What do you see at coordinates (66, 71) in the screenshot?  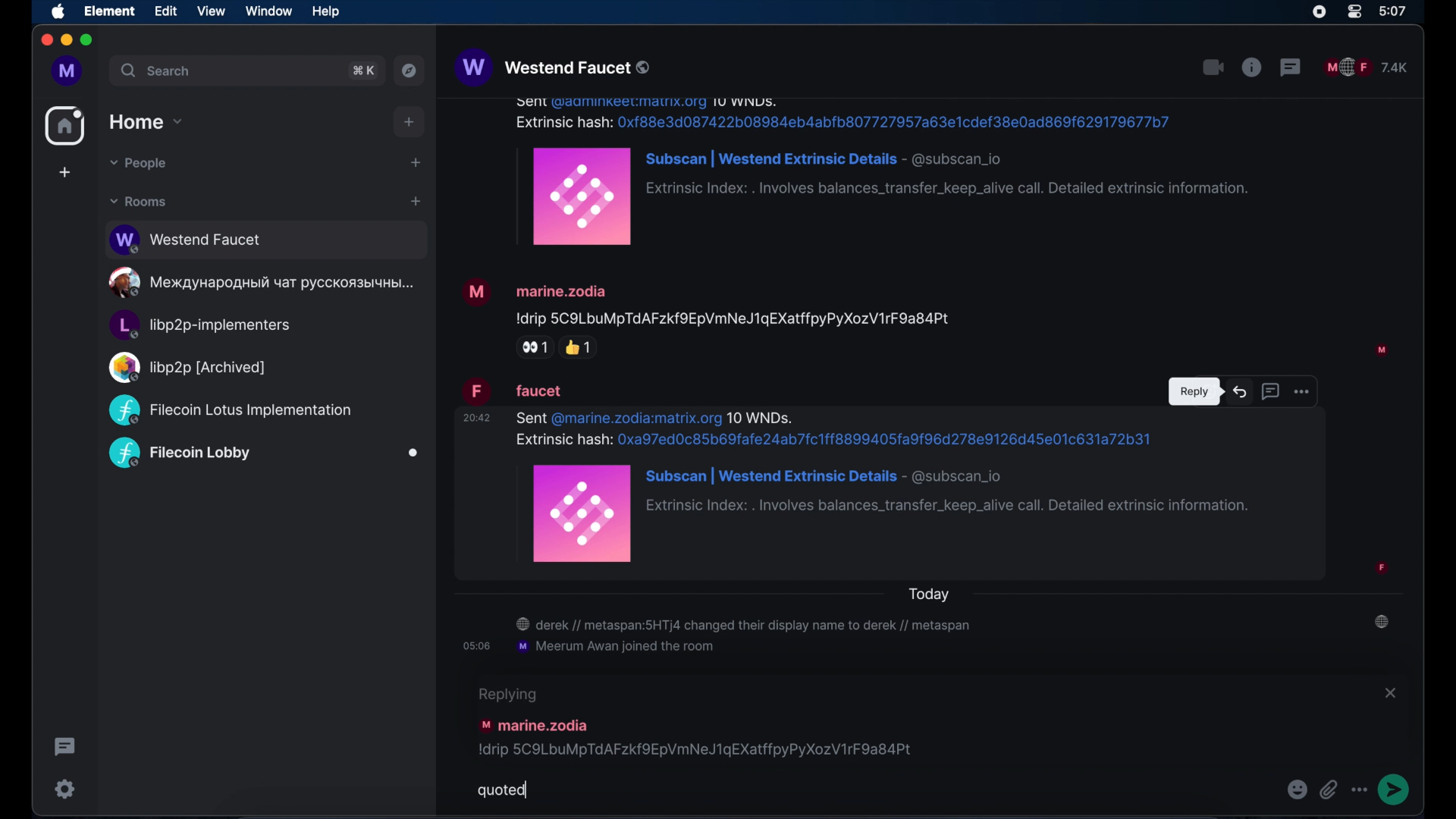 I see `profile` at bounding box center [66, 71].